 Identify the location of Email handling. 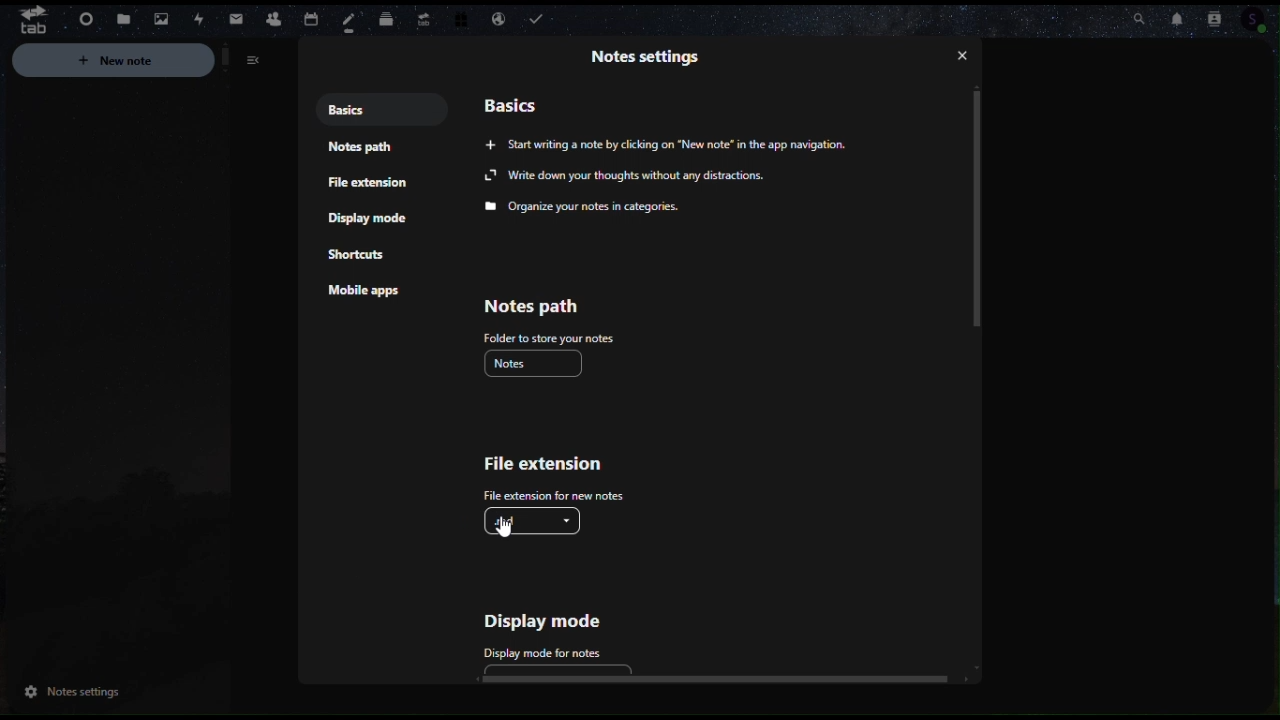
(498, 20).